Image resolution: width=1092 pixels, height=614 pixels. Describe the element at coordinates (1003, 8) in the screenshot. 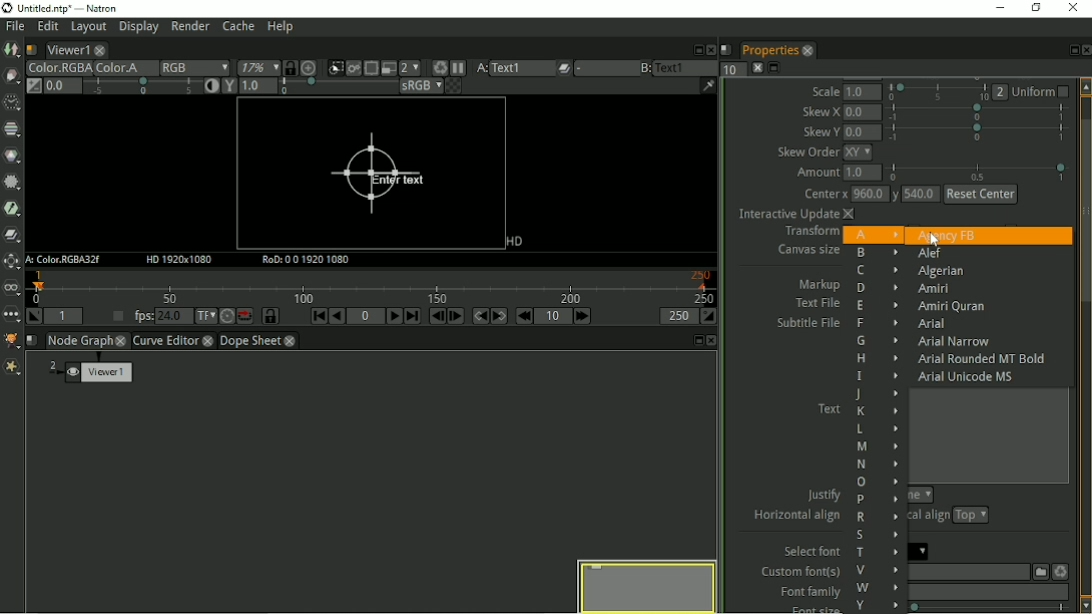

I see `Minimize` at that location.